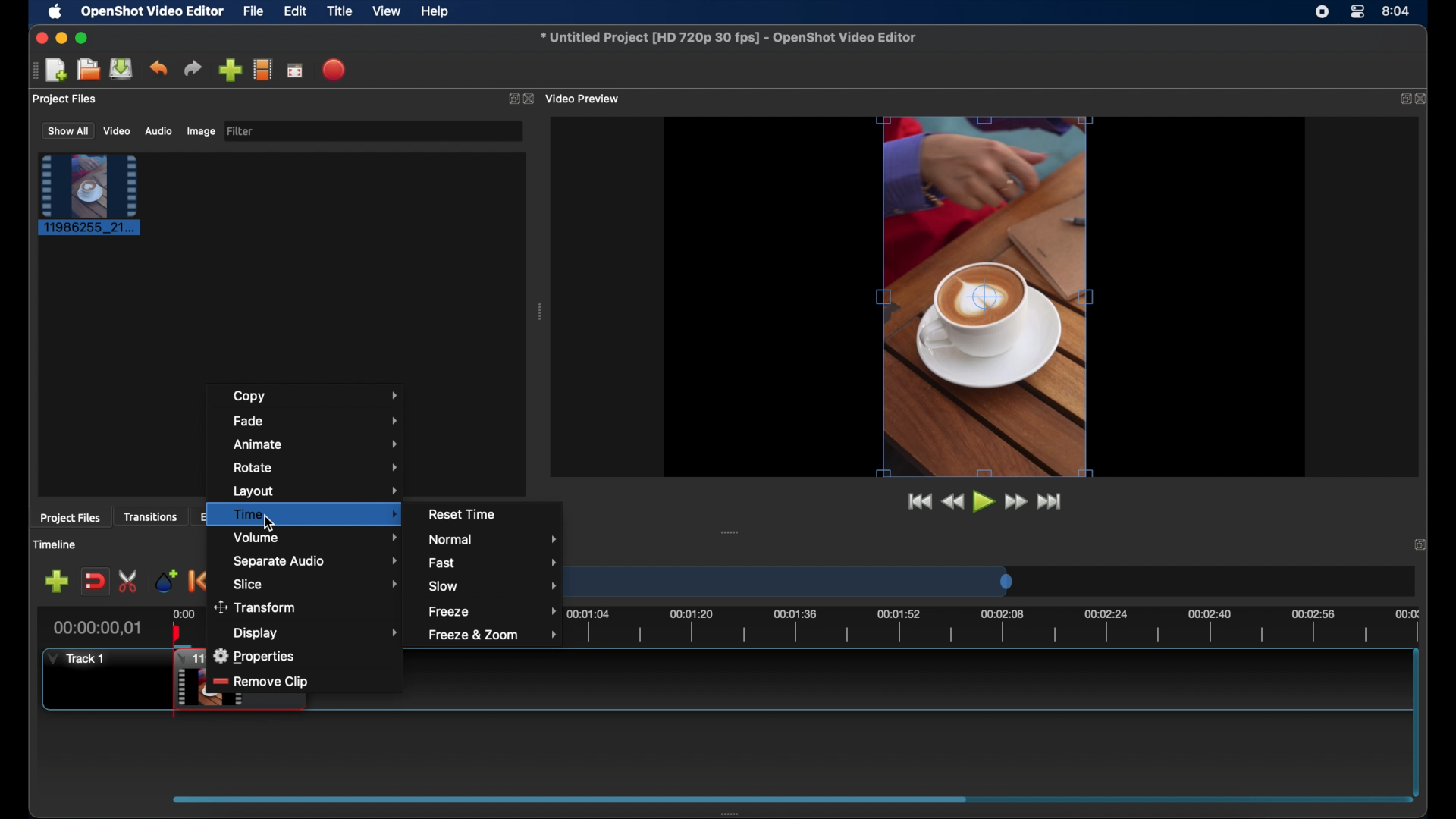  What do you see at coordinates (56, 581) in the screenshot?
I see `add track` at bounding box center [56, 581].